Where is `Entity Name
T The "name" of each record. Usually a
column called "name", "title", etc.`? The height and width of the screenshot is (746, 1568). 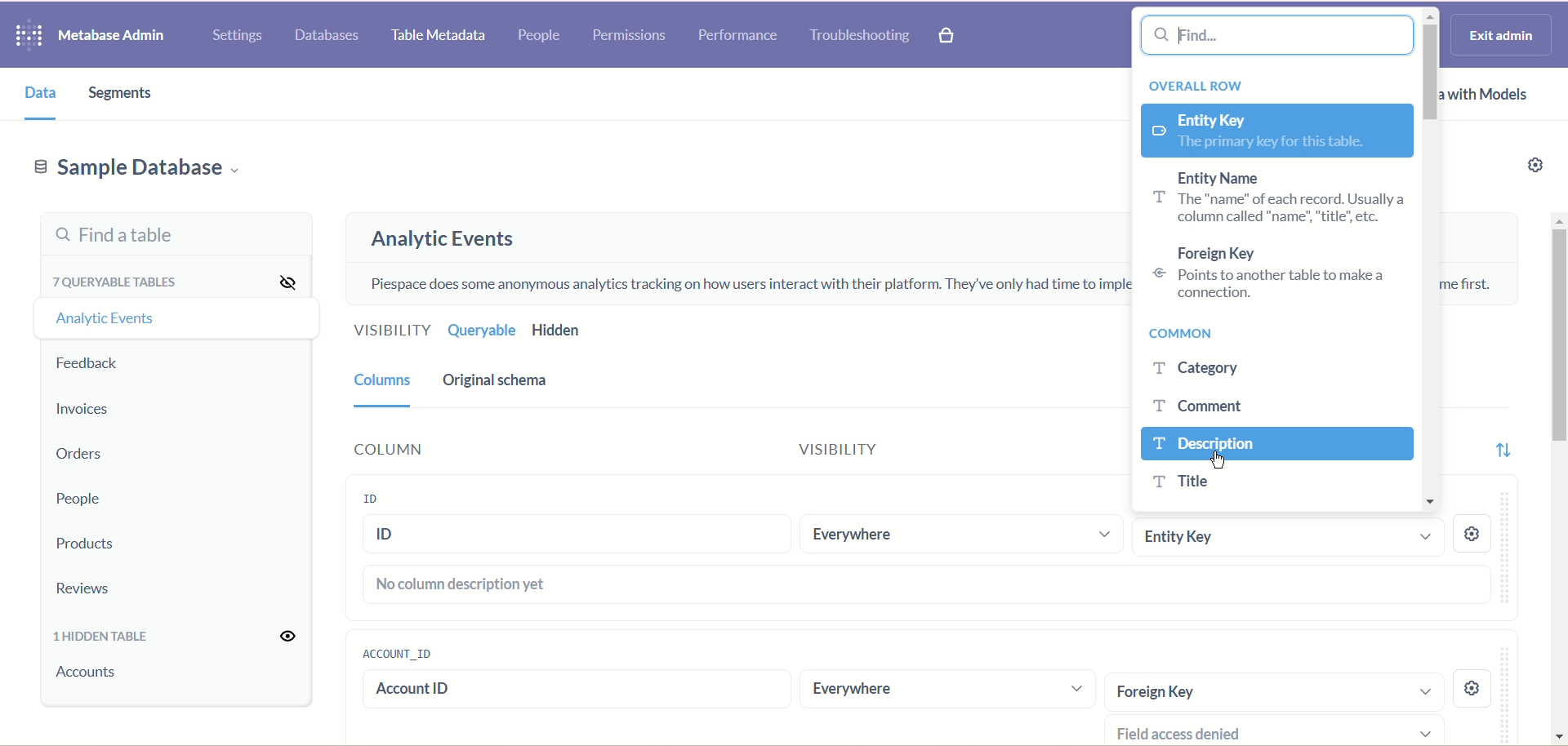
Entity Name
T The "name" of each record. Usually a
column called "name", "title", etc. is located at coordinates (1271, 198).